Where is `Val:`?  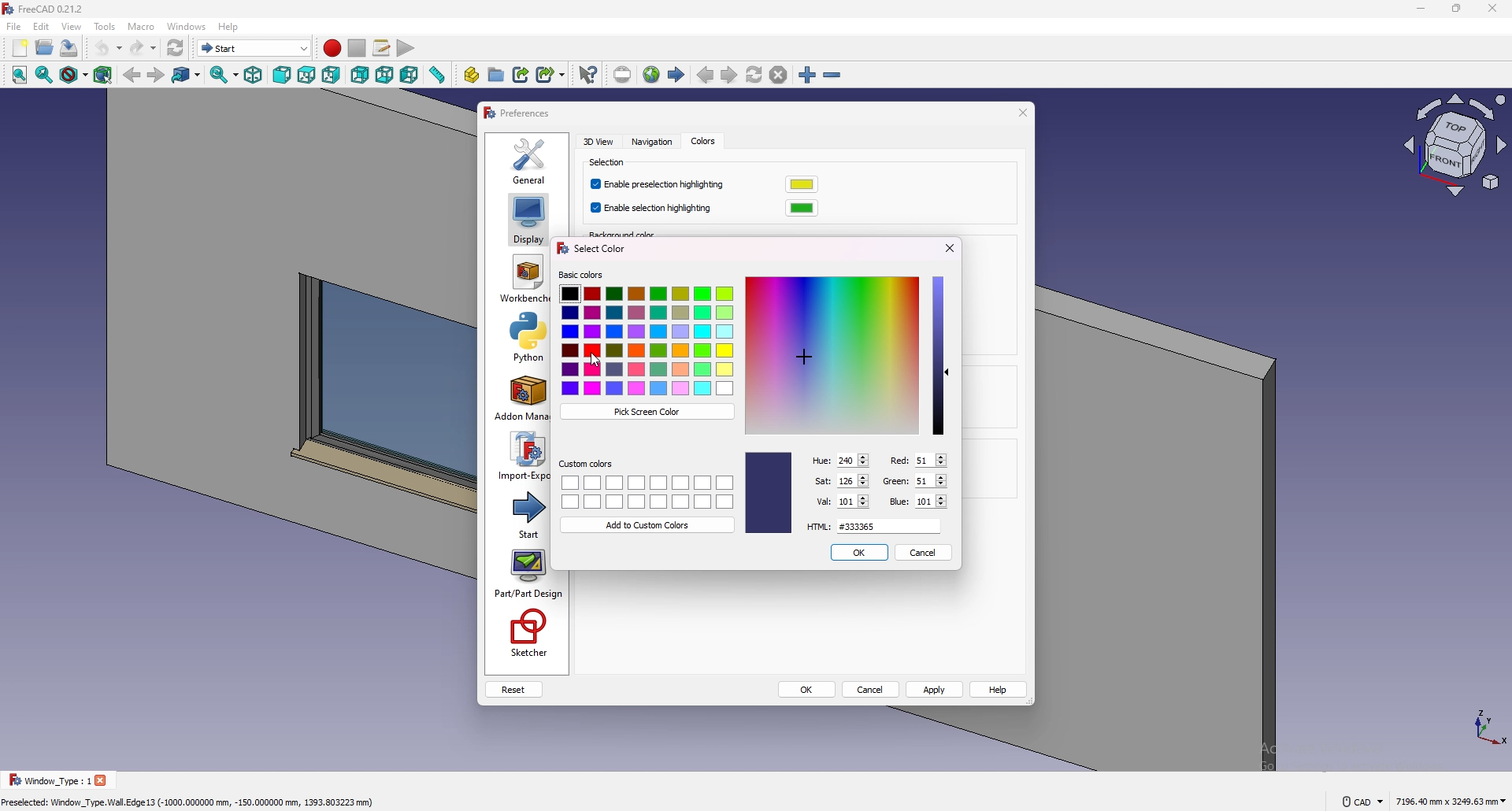 Val: is located at coordinates (822, 502).